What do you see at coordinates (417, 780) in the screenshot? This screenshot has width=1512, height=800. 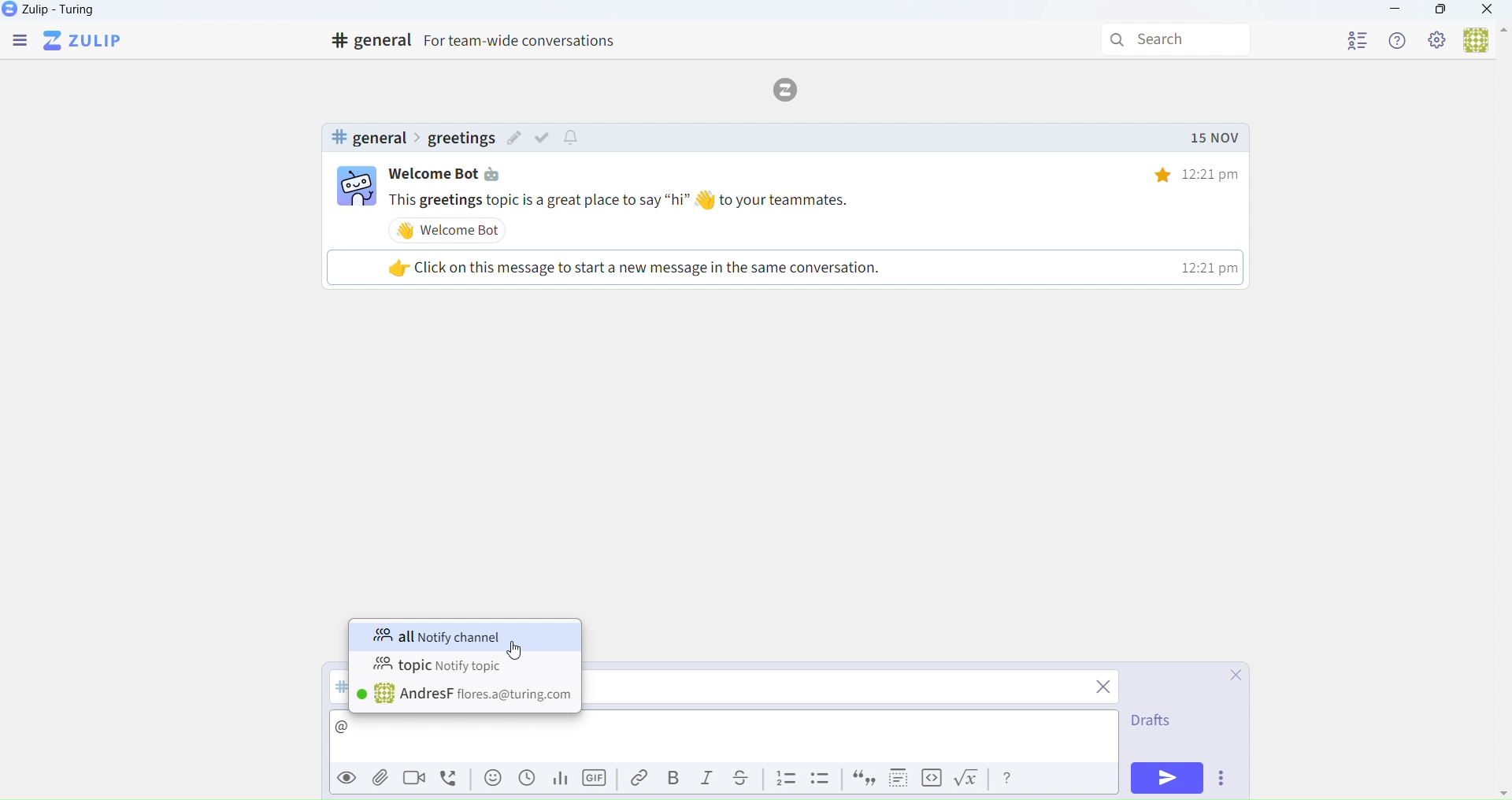 I see `VideoCall` at bounding box center [417, 780].